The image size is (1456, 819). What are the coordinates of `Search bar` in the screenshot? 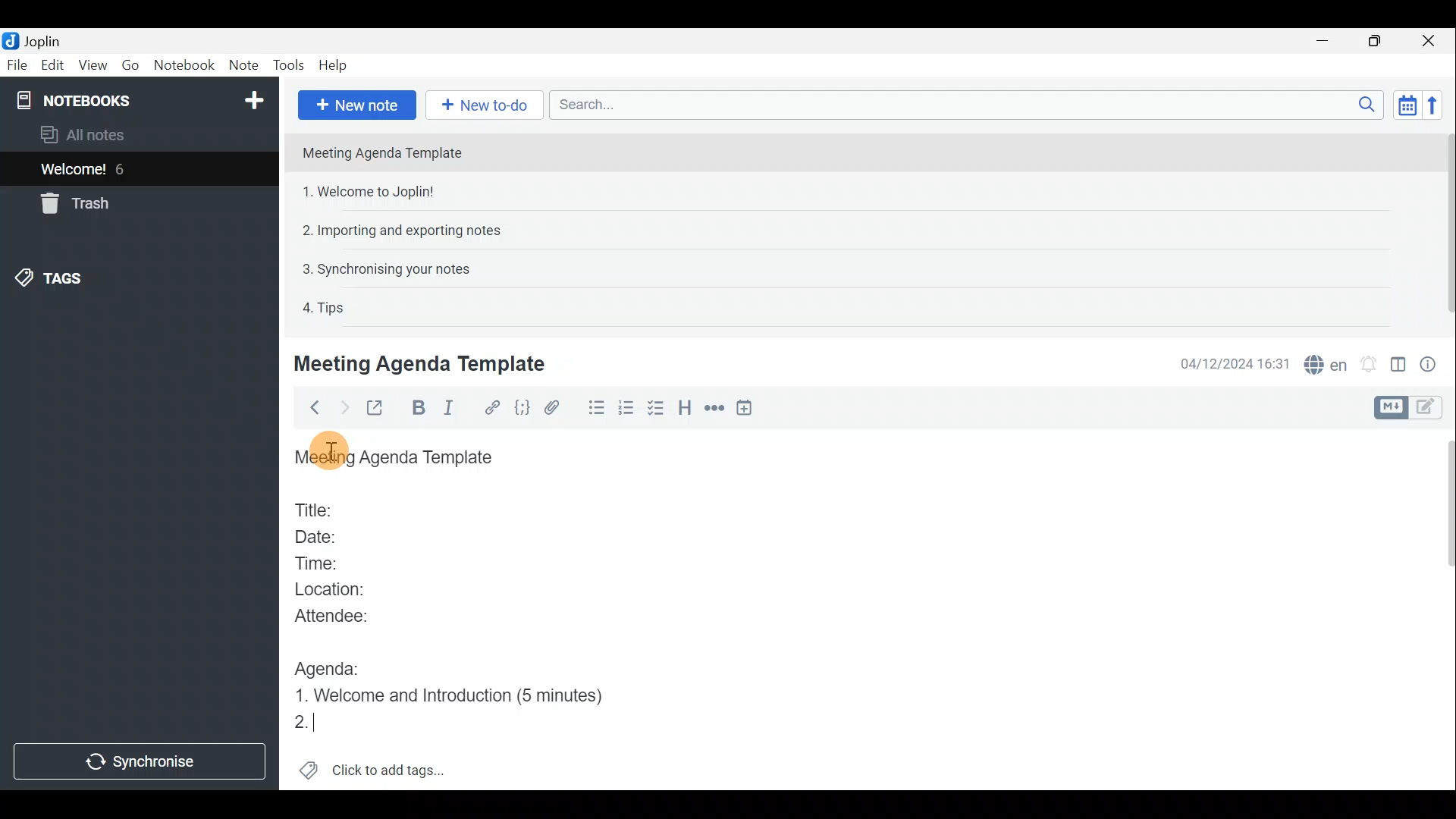 It's located at (962, 104).